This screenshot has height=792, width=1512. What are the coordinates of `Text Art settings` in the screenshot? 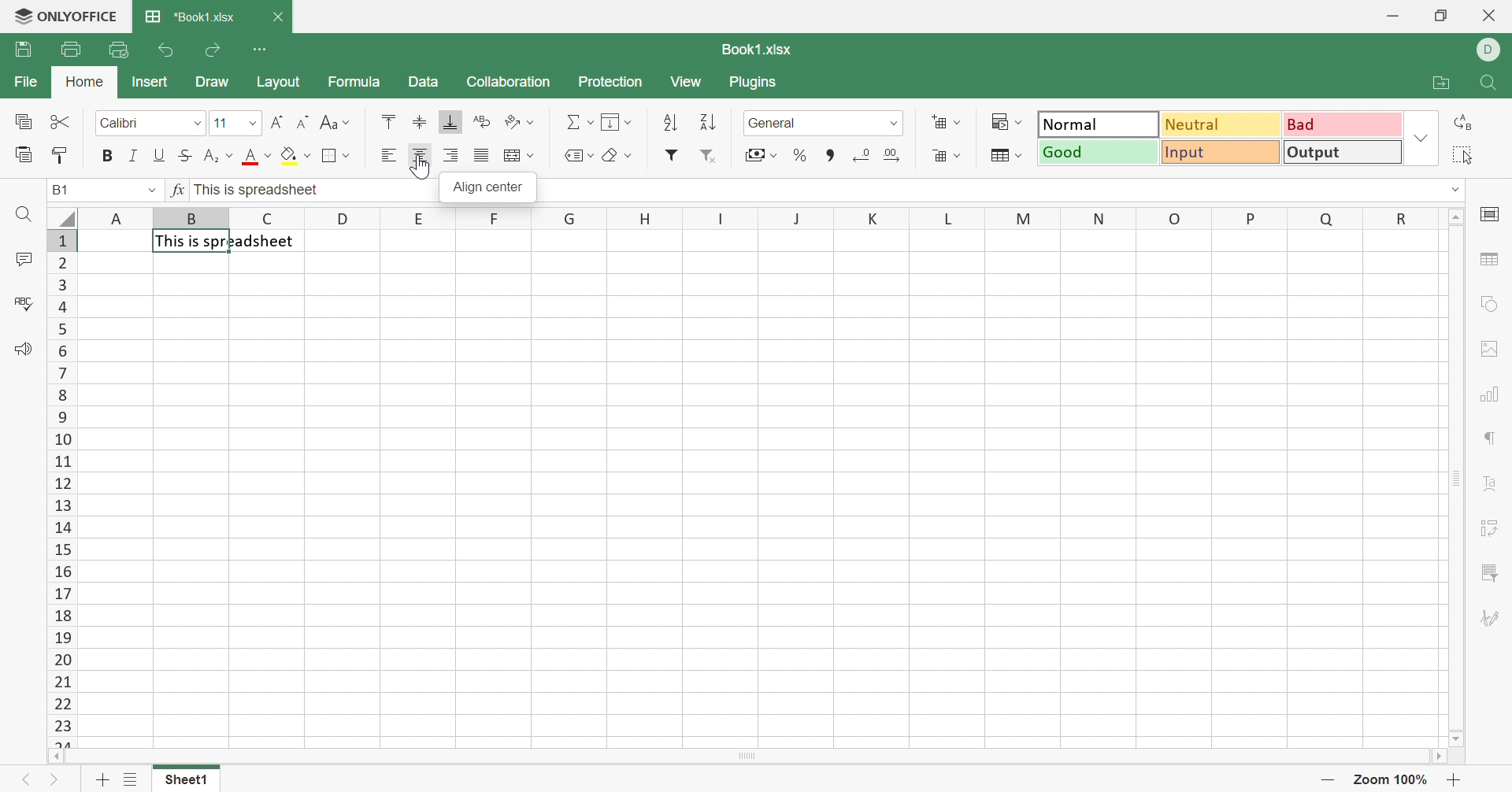 It's located at (1489, 483).